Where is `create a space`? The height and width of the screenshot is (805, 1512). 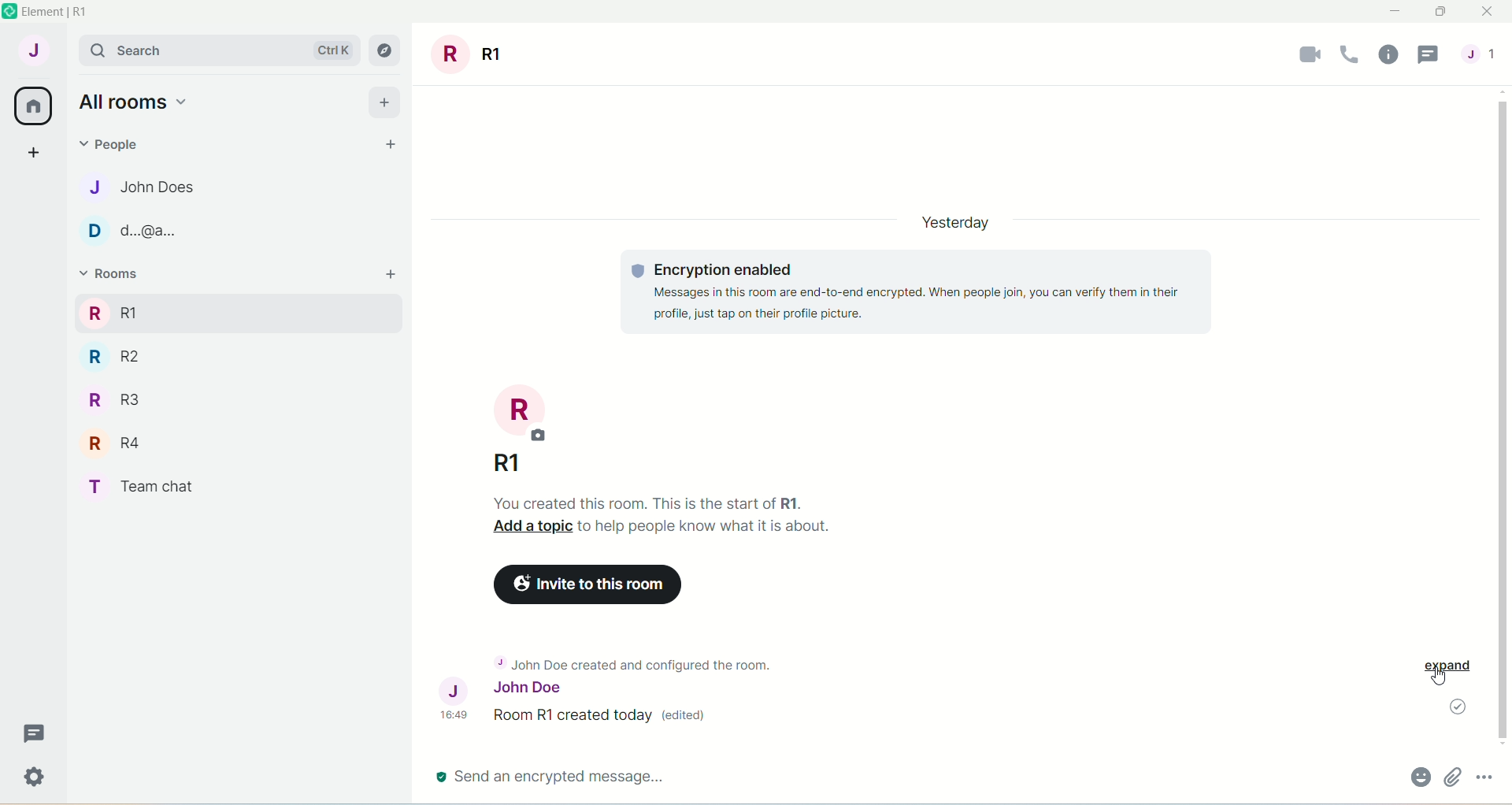 create a space is located at coordinates (31, 152).